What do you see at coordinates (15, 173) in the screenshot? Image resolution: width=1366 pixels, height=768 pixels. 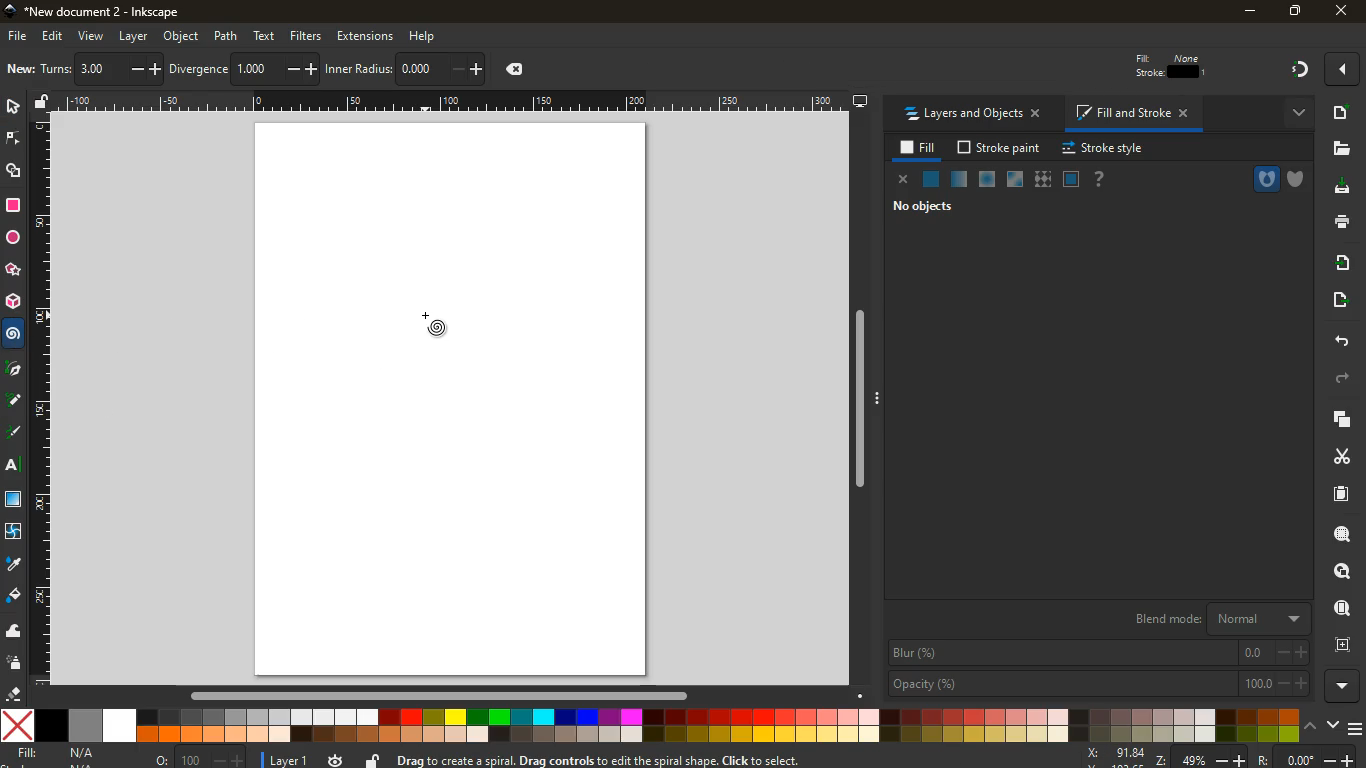 I see `shape` at bounding box center [15, 173].